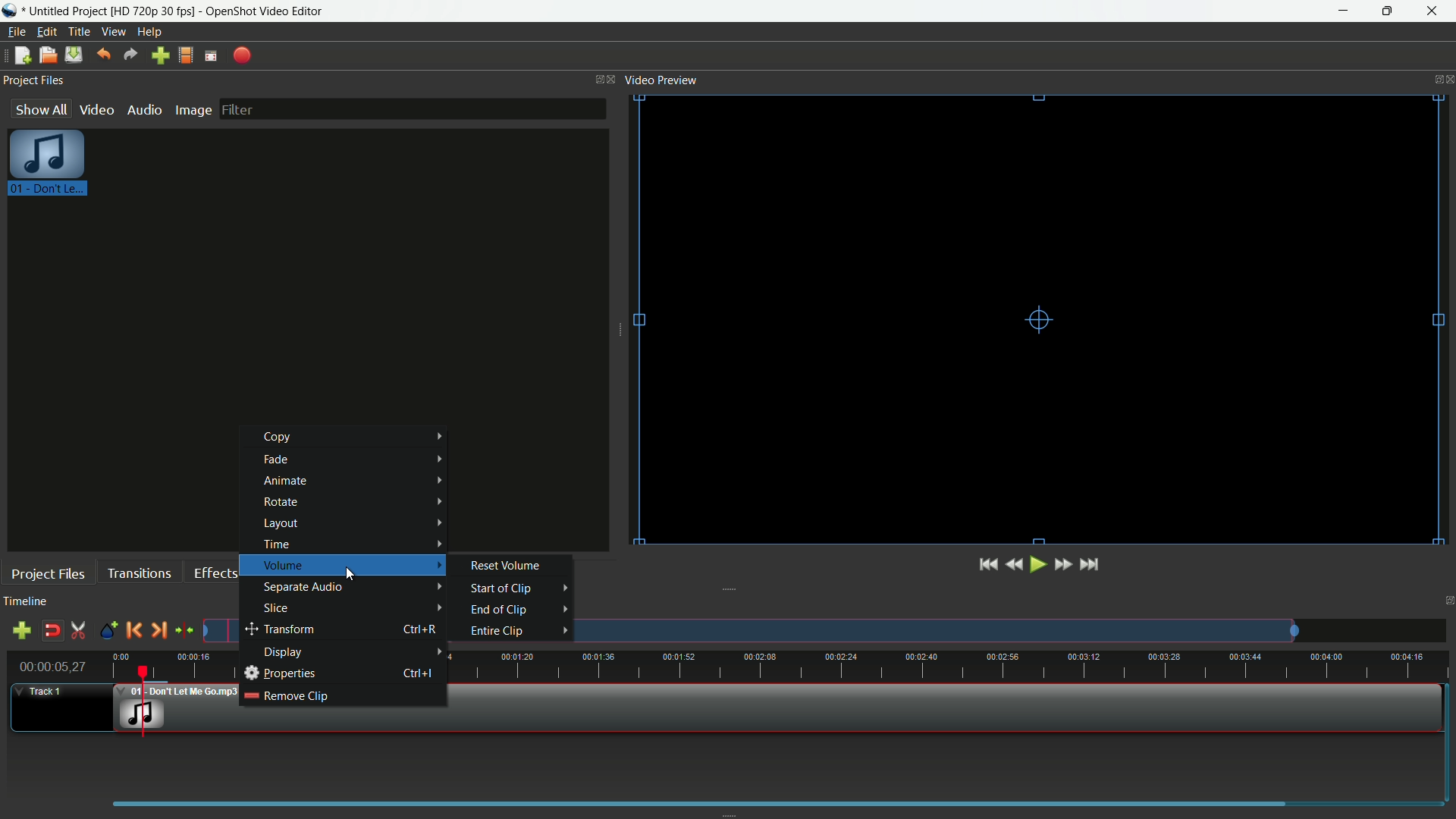 The width and height of the screenshot is (1456, 819). Describe the element at coordinates (28, 602) in the screenshot. I see `timeline` at that location.